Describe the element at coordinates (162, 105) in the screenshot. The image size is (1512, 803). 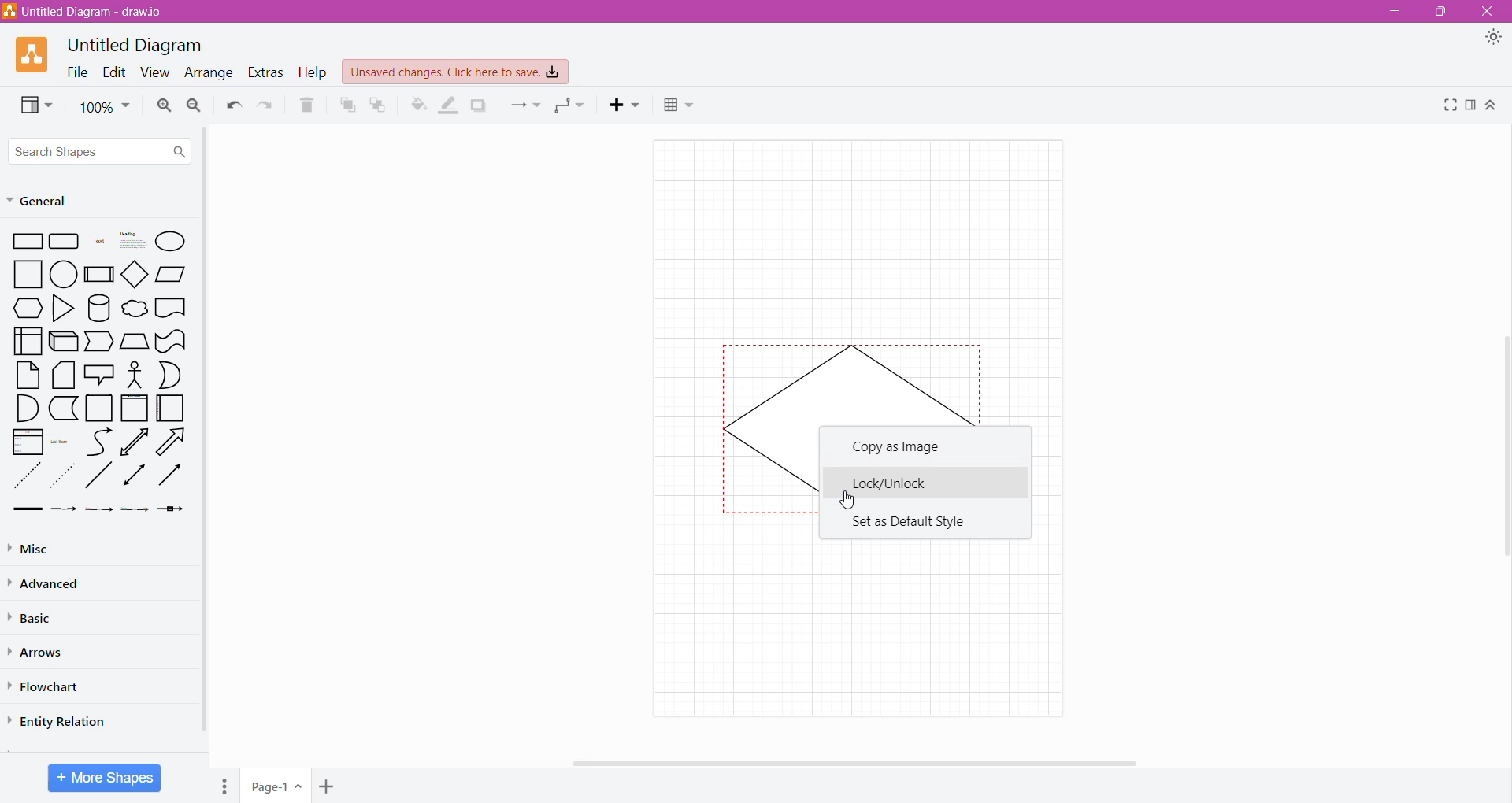
I see `Zoom In` at that location.